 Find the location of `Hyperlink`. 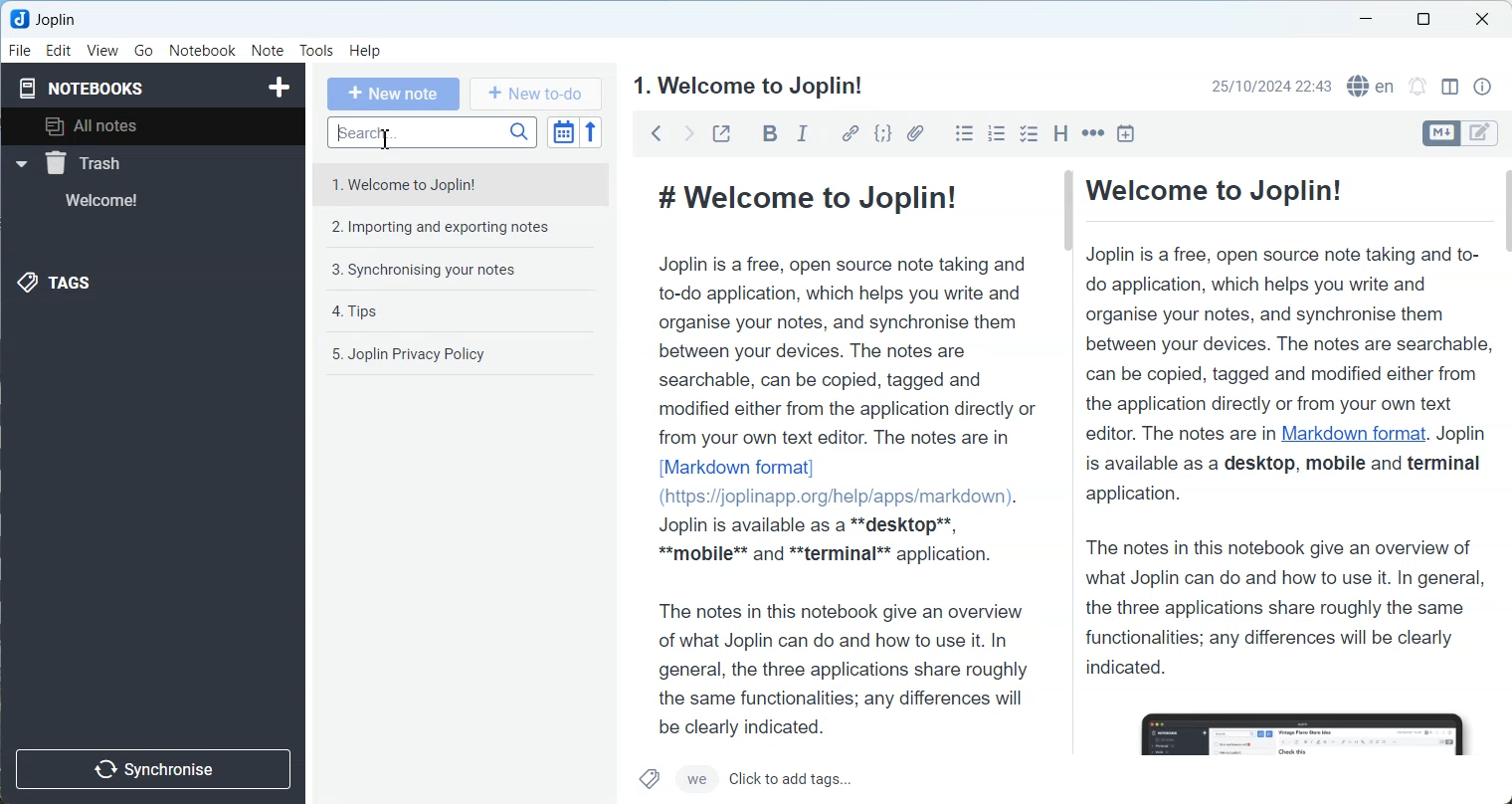

Hyperlink is located at coordinates (849, 133).